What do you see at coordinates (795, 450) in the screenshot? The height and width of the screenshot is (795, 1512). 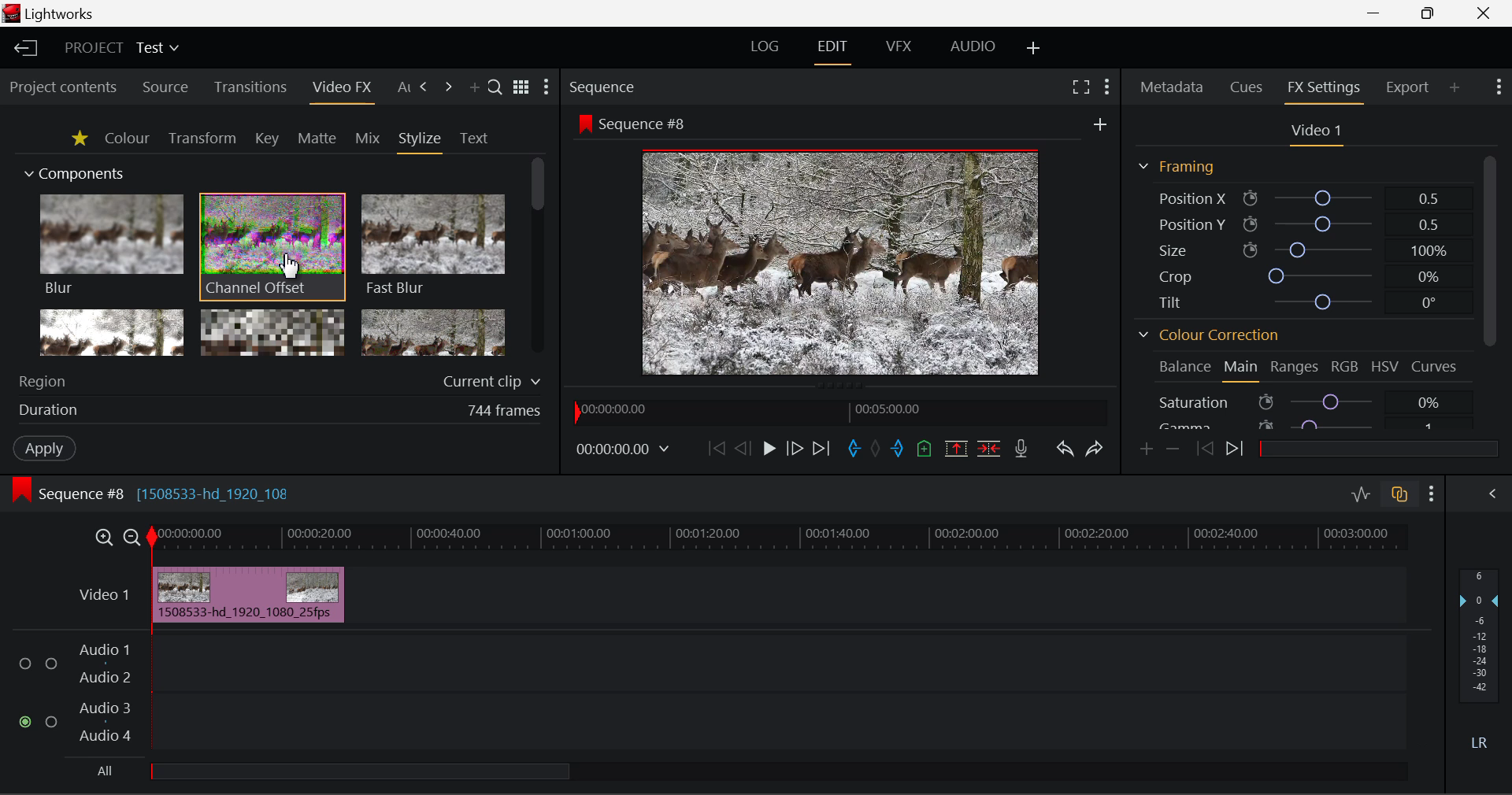 I see `Go Forward` at bounding box center [795, 450].